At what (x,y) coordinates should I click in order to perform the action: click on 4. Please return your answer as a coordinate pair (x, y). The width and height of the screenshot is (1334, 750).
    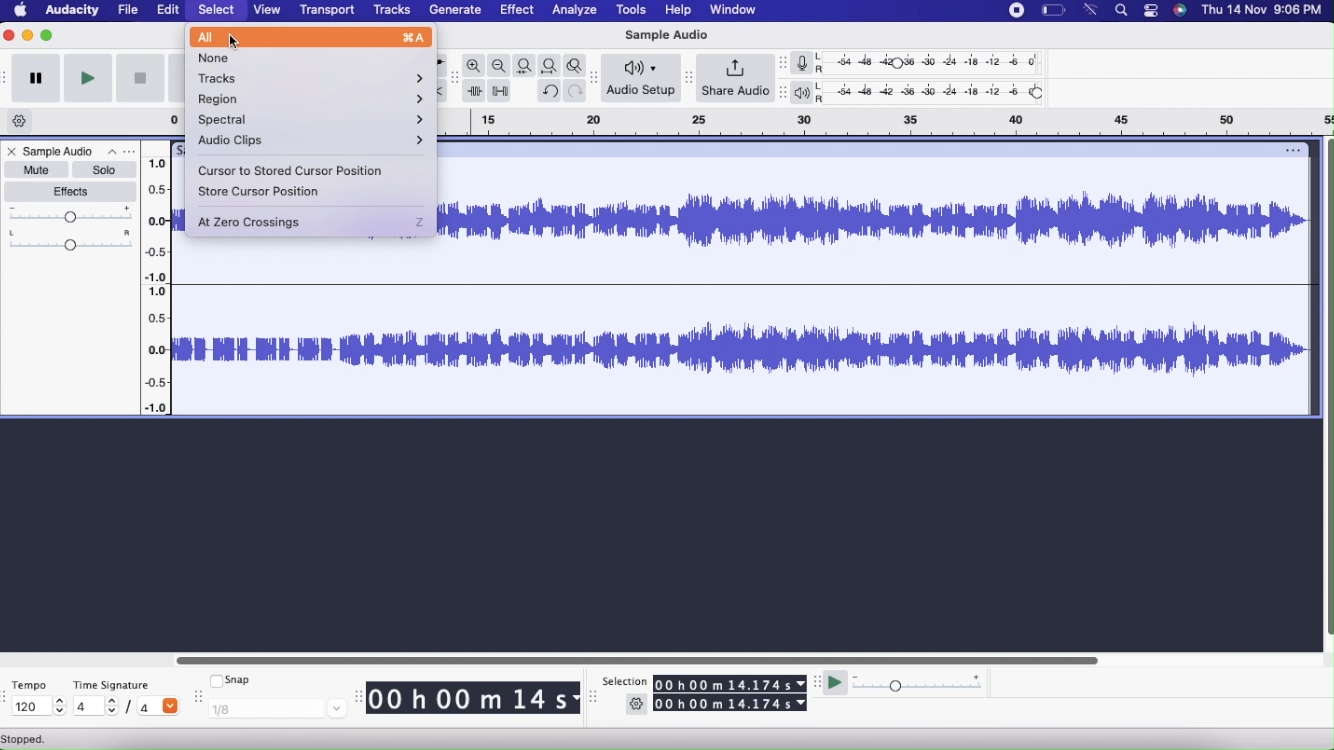
    Looking at the image, I should click on (97, 707).